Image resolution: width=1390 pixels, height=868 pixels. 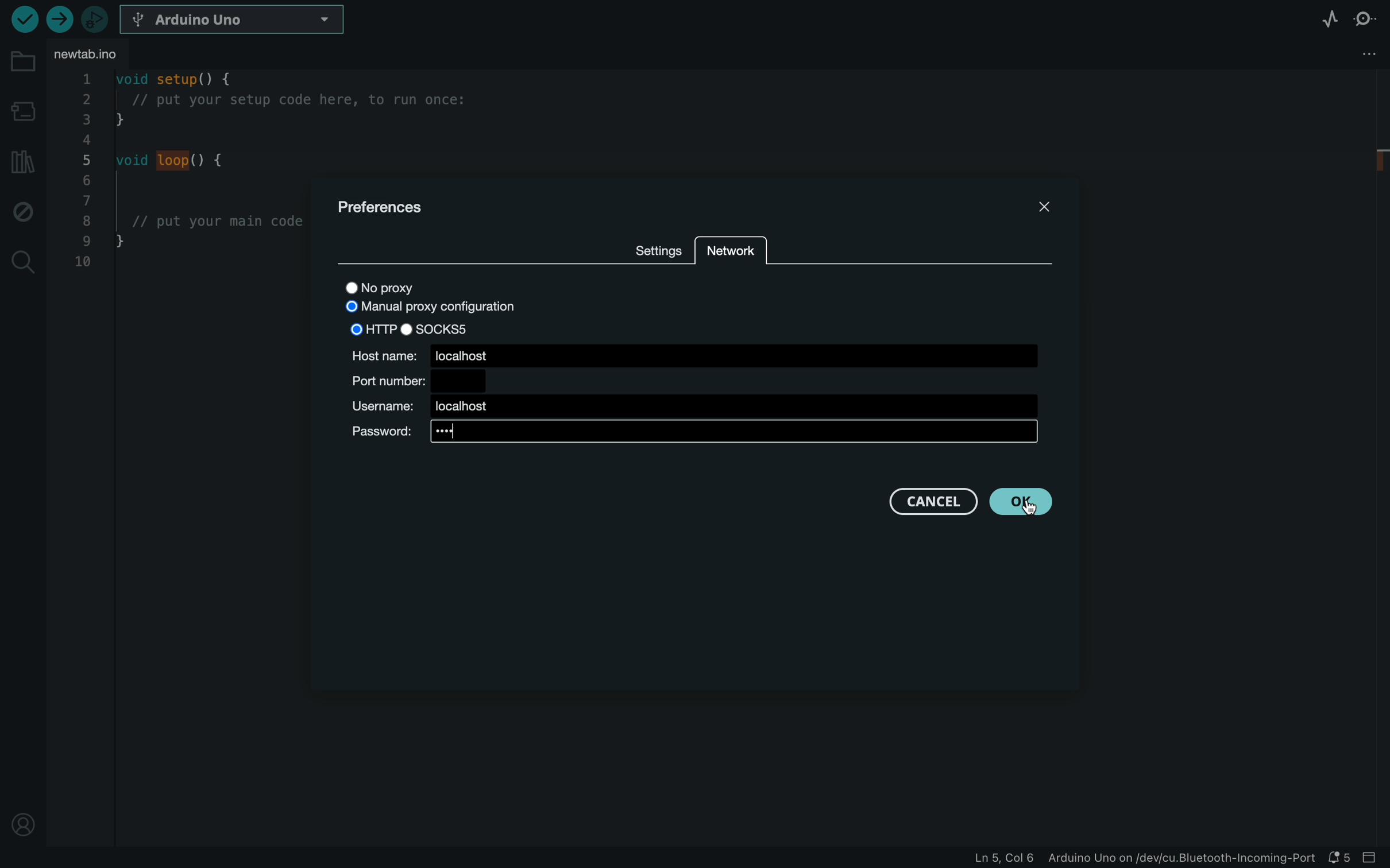 What do you see at coordinates (428, 308) in the screenshot?
I see `MANUAL PROXY` at bounding box center [428, 308].